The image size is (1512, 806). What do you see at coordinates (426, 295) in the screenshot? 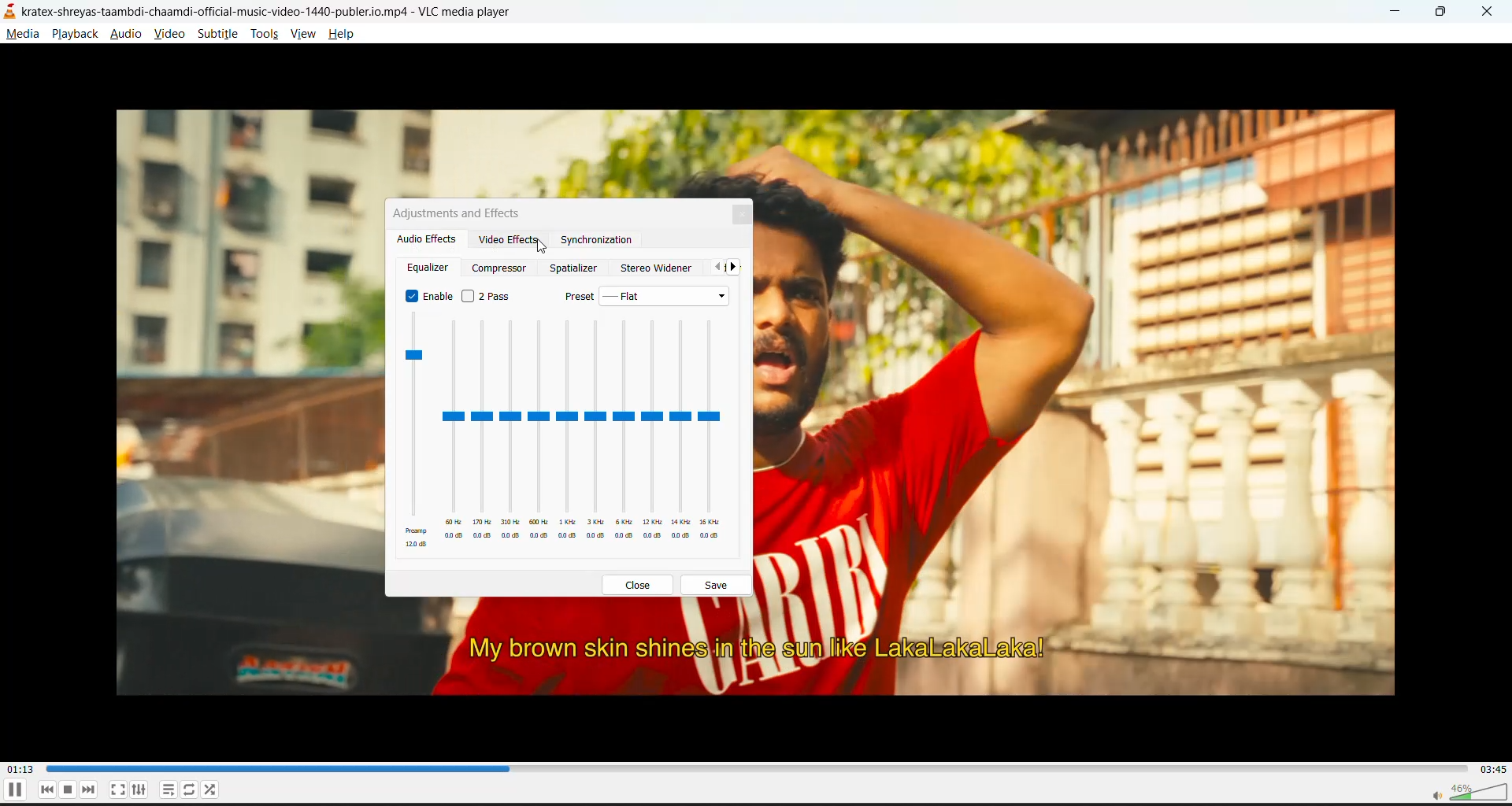
I see `enable` at bounding box center [426, 295].